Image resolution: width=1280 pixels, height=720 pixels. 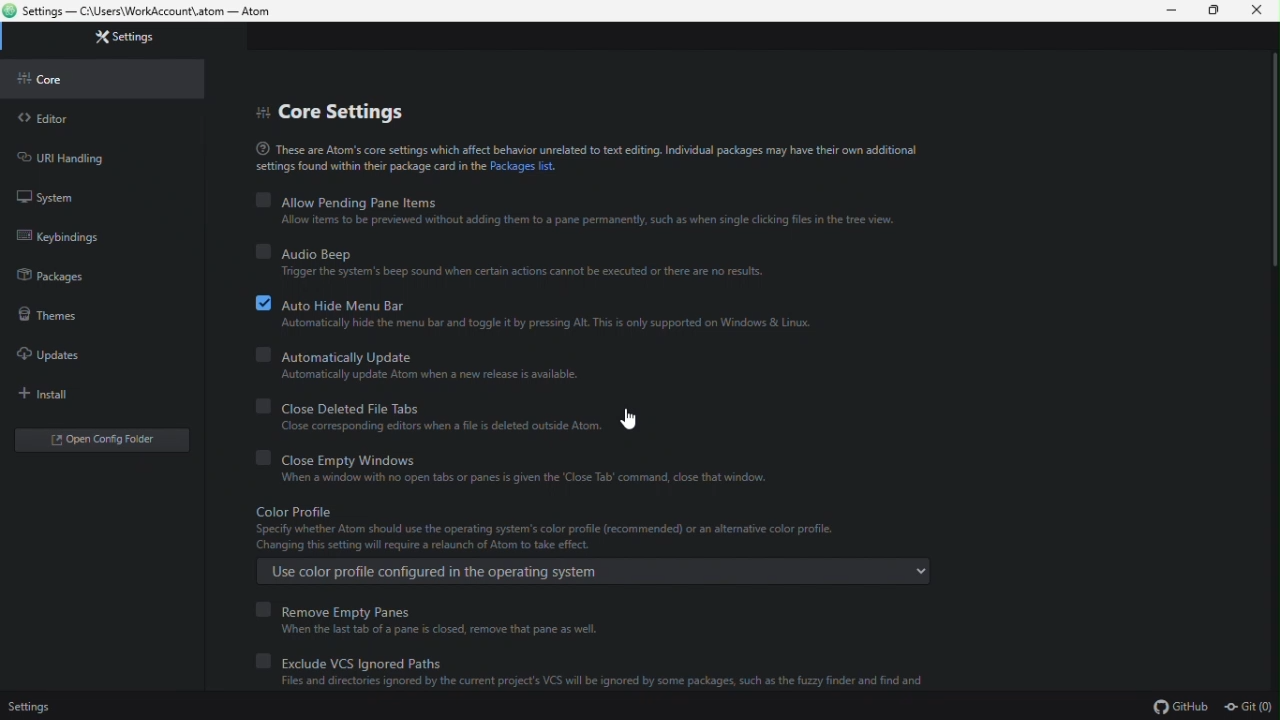 What do you see at coordinates (596, 573) in the screenshot?
I see `Use color profile configured in the operating system v` at bounding box center [596, 573].